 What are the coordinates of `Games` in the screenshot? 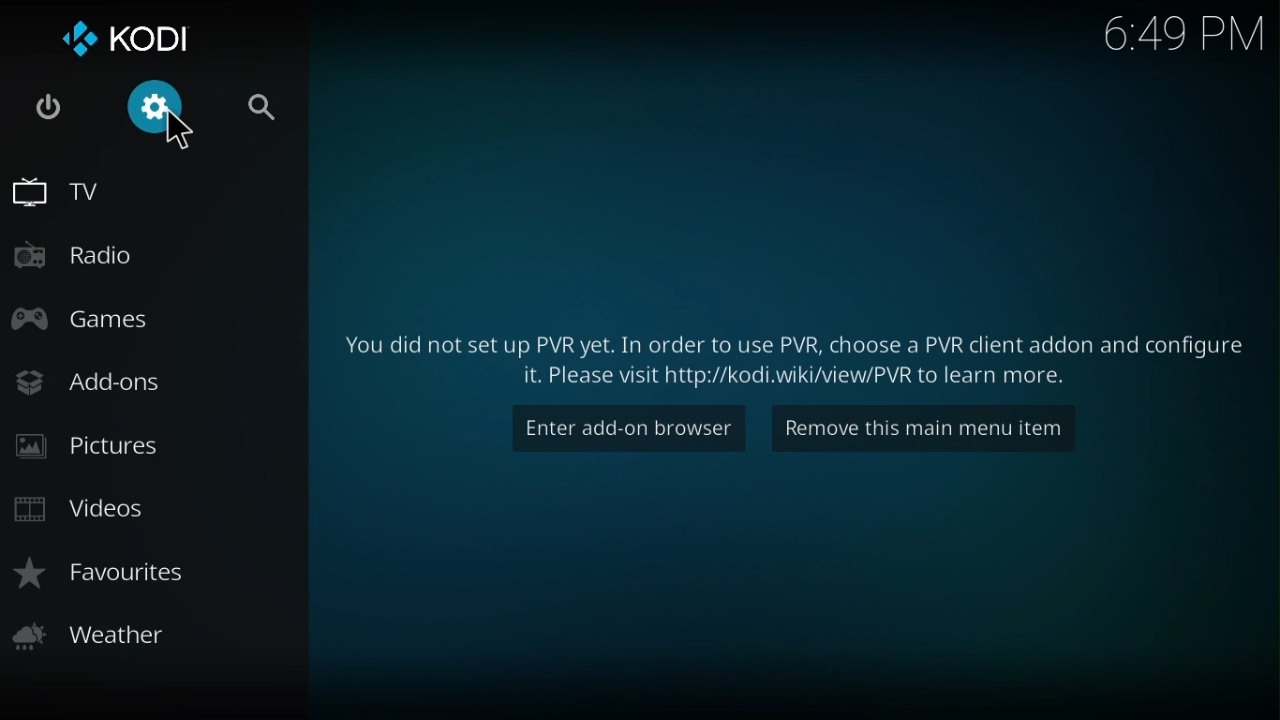 It's located at (93, 317).